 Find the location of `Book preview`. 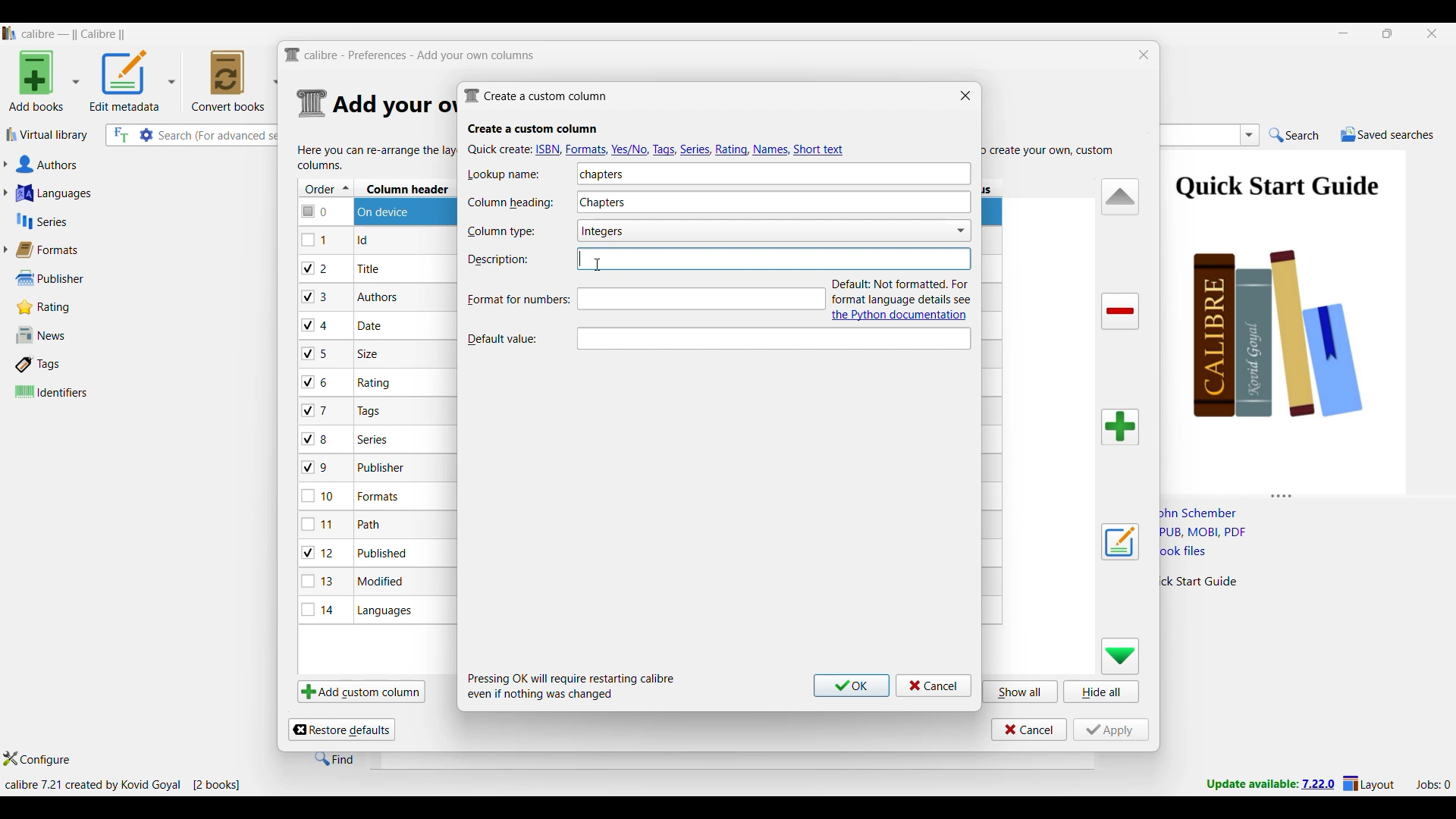

Book preview is located at coordinates (1303, 316).